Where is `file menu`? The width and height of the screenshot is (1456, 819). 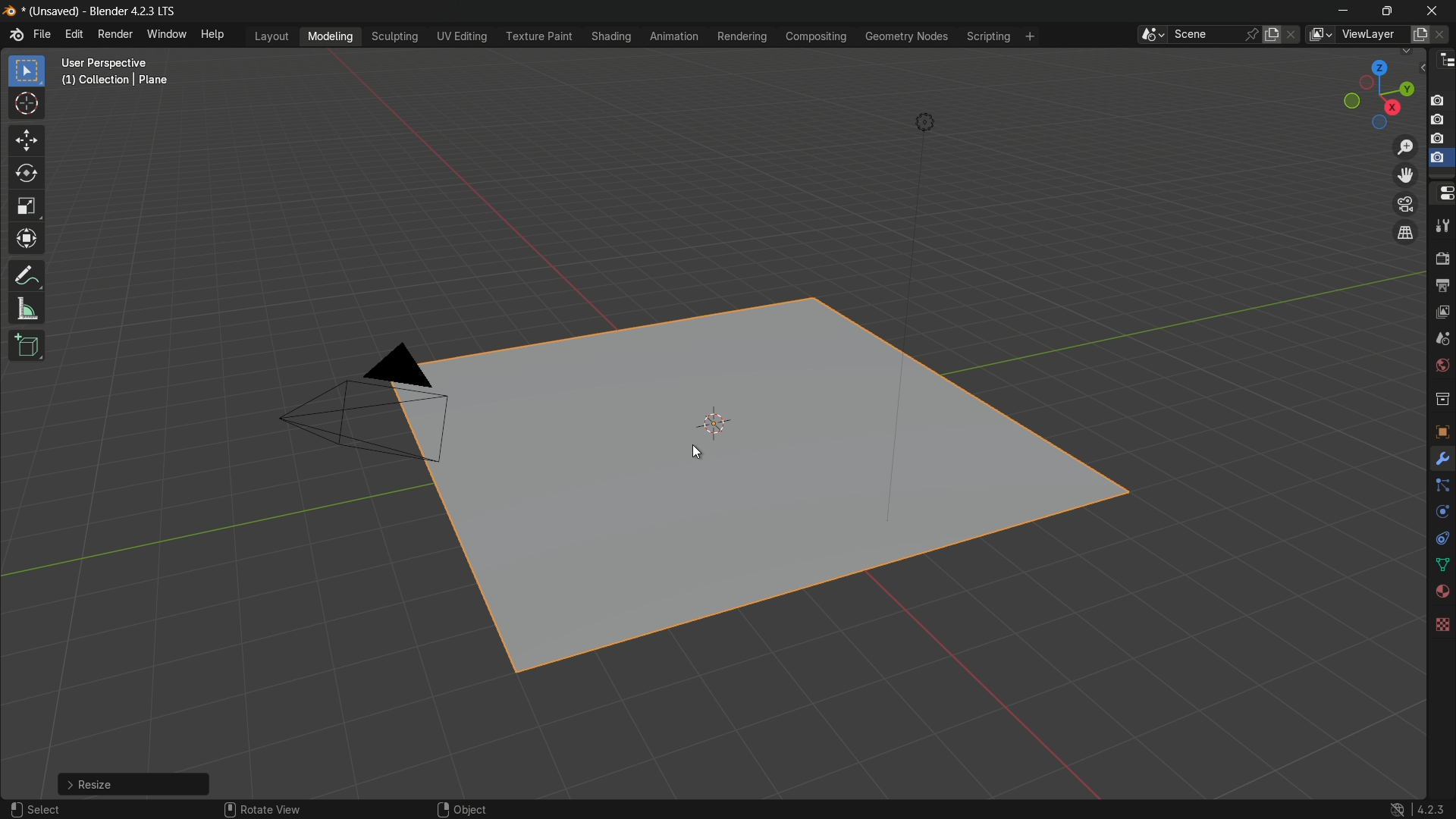 file menu is located at coordinates (42, 35).